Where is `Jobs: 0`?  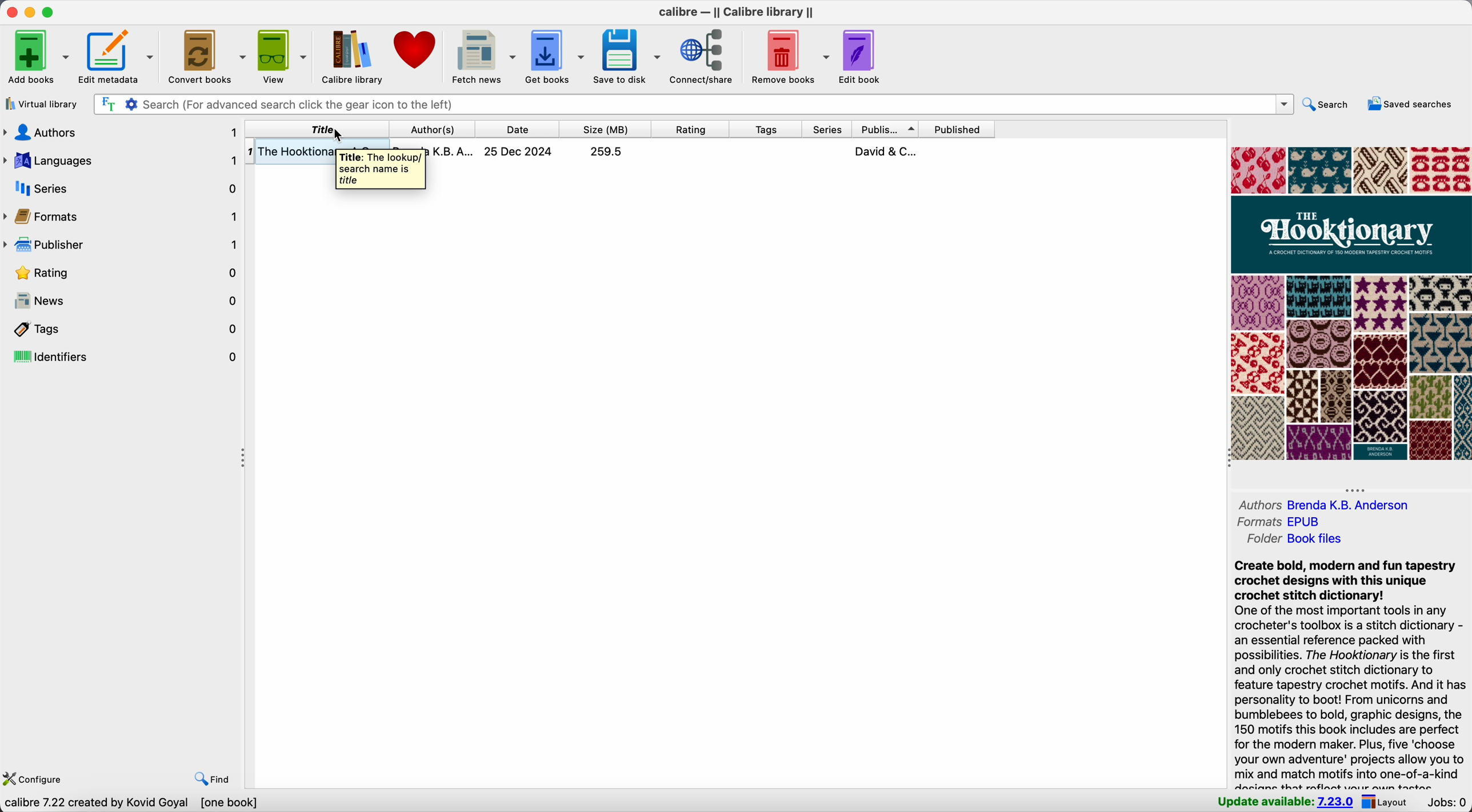
Jobs: 0 is located at coordinates (1446, 802).